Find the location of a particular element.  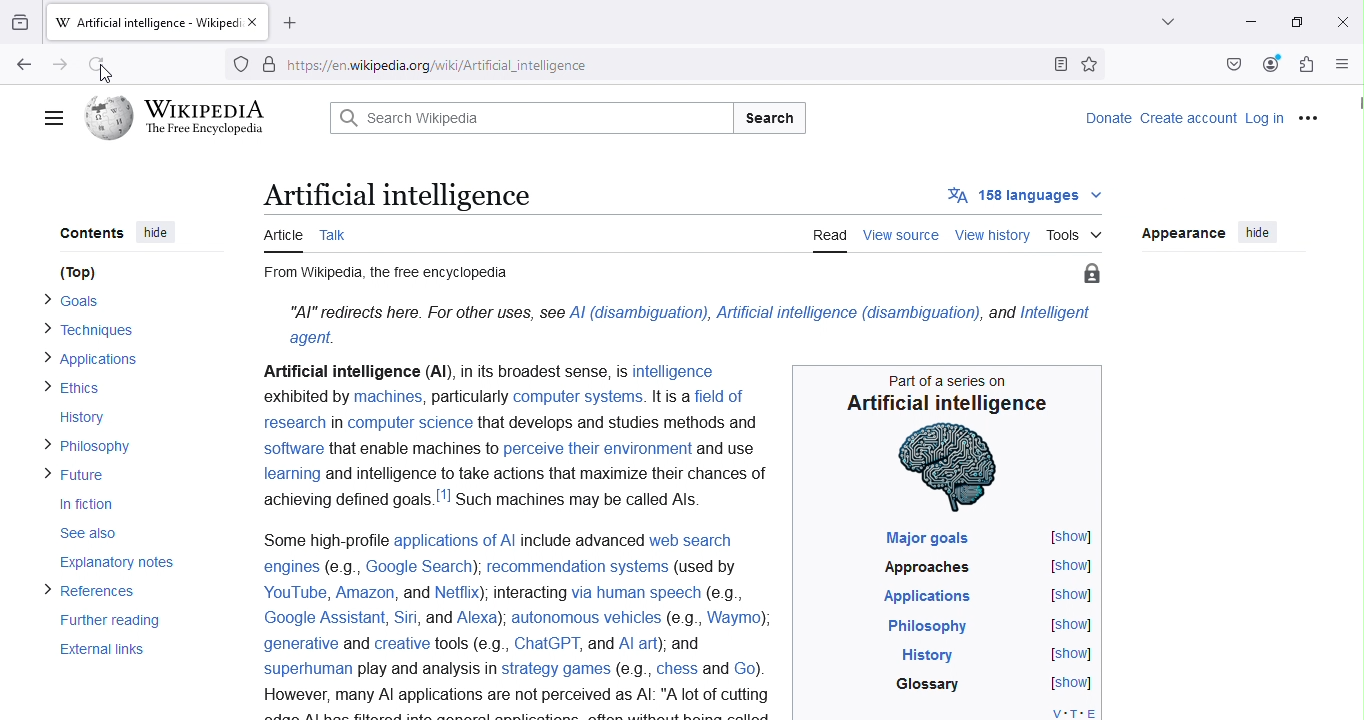

Software is located at coordinates (286, 449).